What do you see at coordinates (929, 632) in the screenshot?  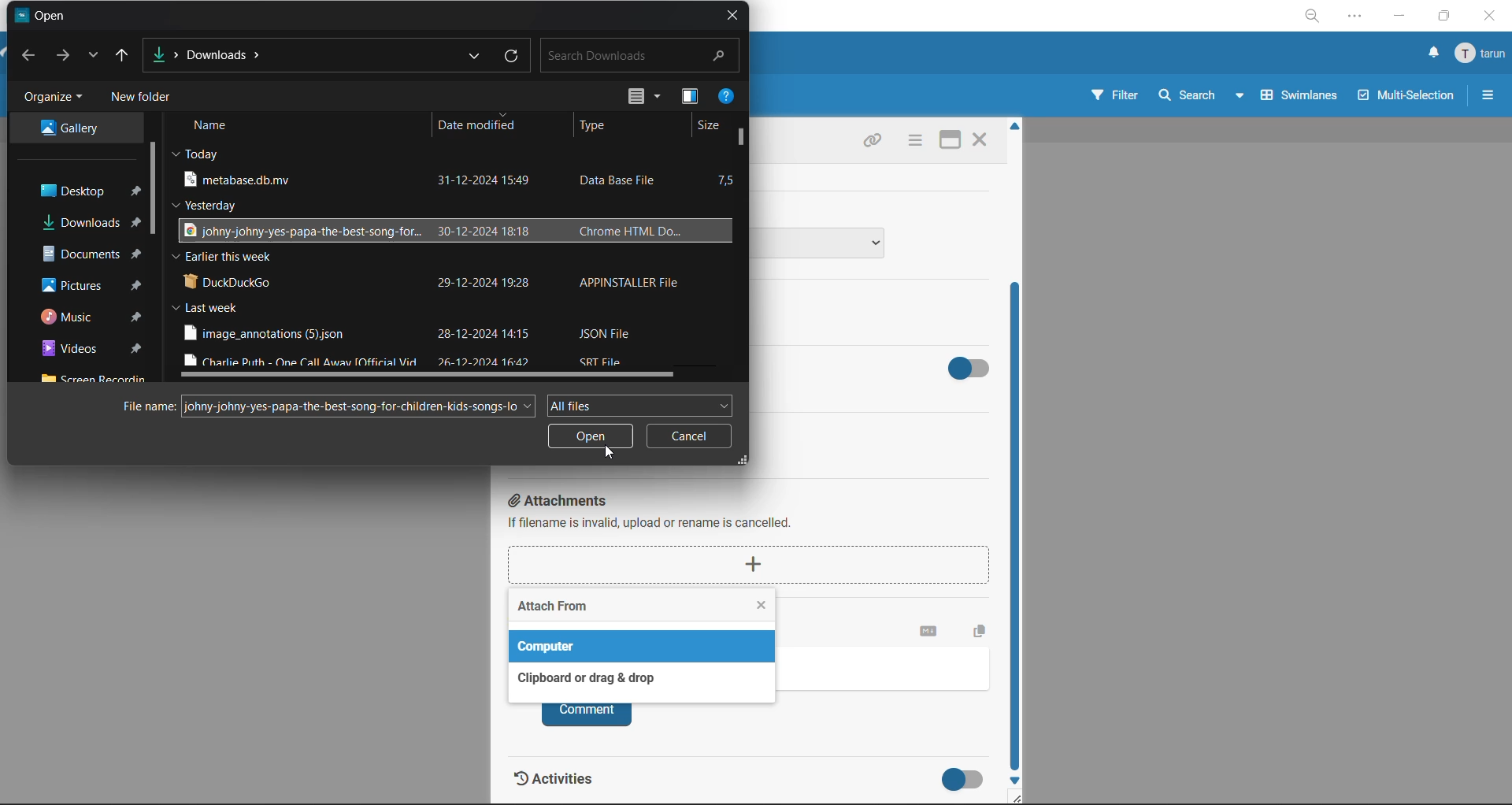 I see `markdown` at bounding box center [929, 632].